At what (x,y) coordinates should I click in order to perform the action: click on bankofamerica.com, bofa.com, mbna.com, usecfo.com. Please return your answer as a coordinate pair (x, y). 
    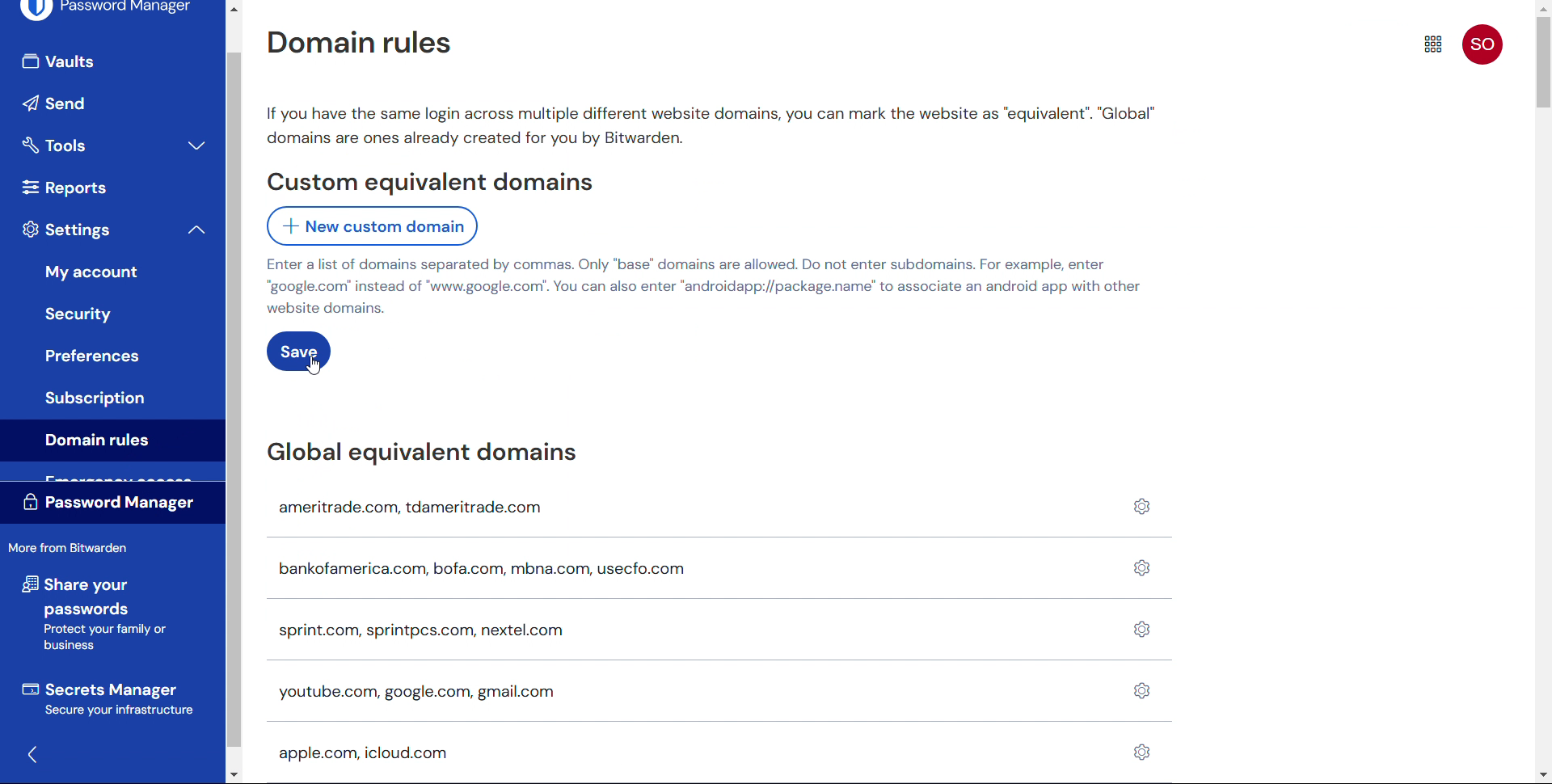
    Looking at the image, I should click on (506, 567).